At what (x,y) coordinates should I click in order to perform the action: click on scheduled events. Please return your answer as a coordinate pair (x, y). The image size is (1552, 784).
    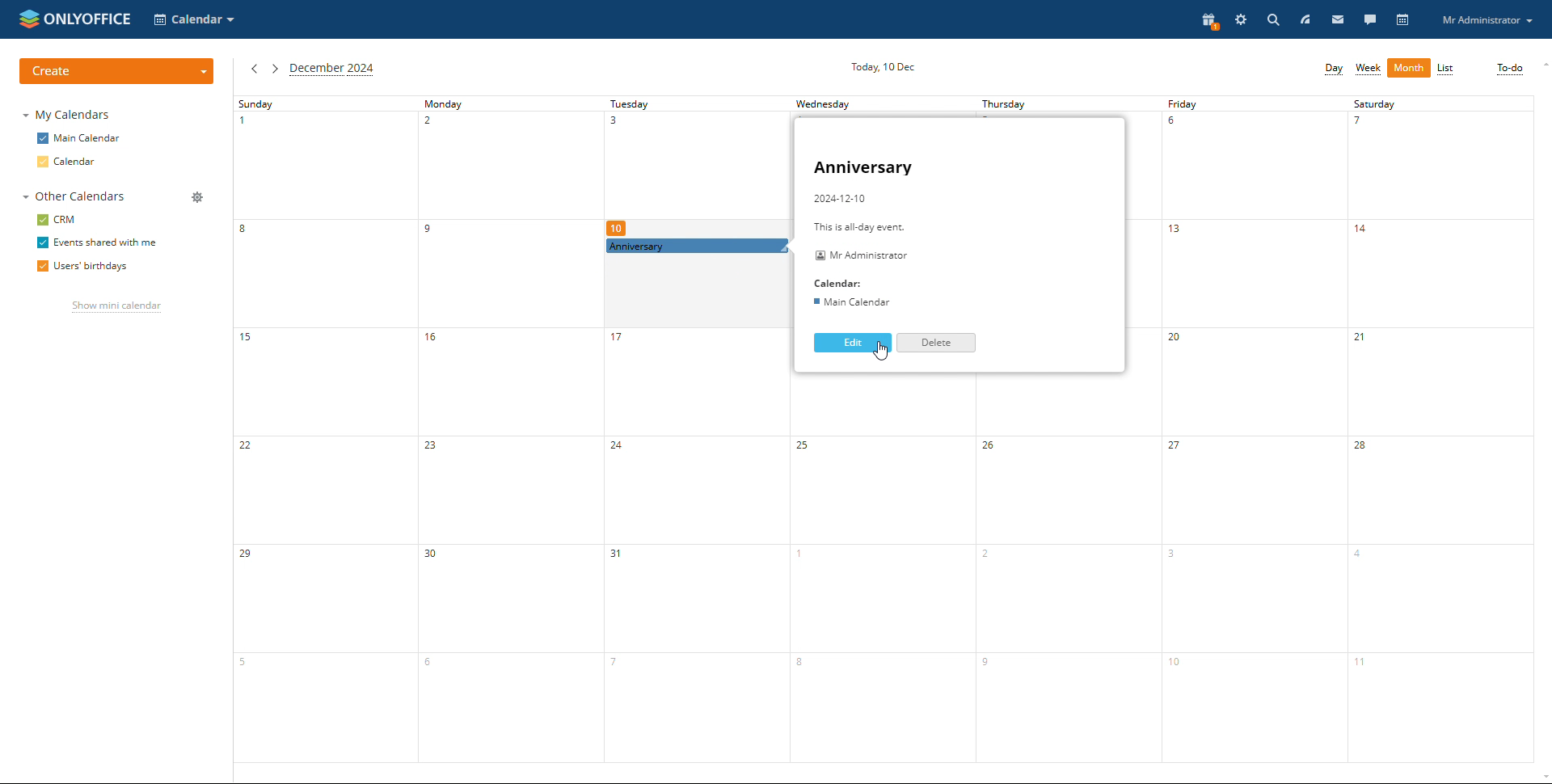
    Looking at the image, I should click on (694, 247).